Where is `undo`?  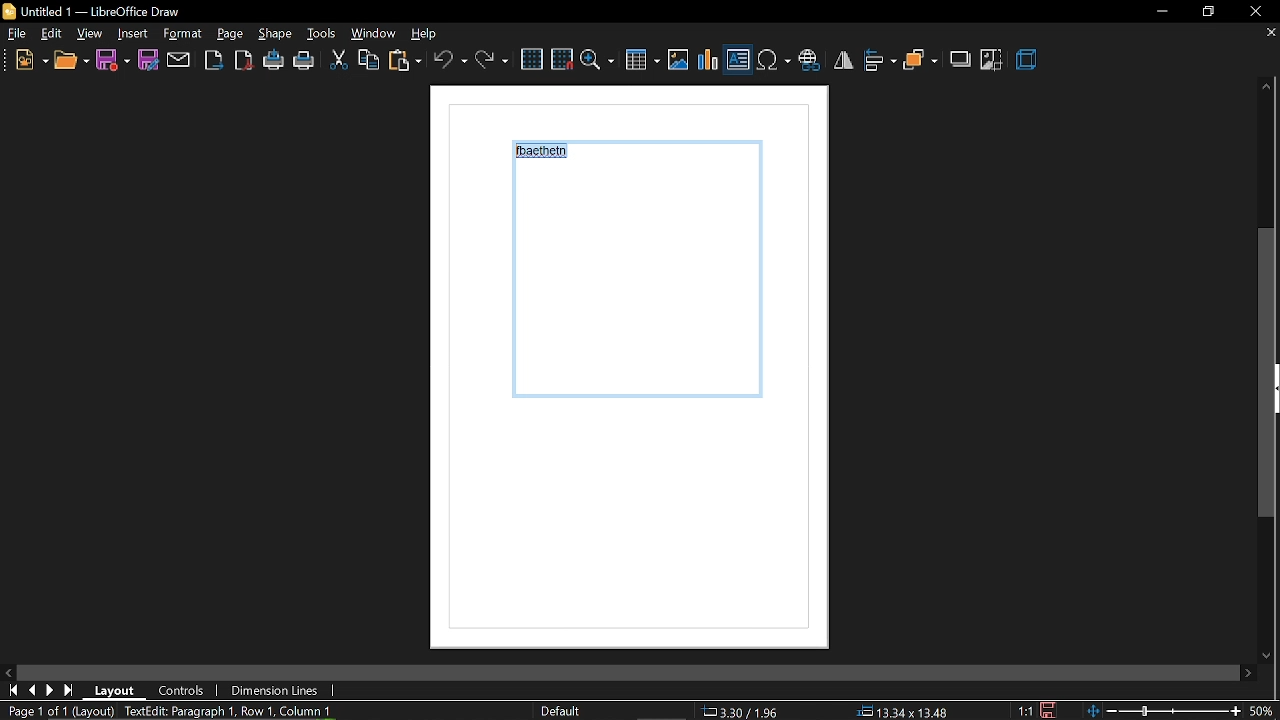
undo is located at coordinates (449, 60).